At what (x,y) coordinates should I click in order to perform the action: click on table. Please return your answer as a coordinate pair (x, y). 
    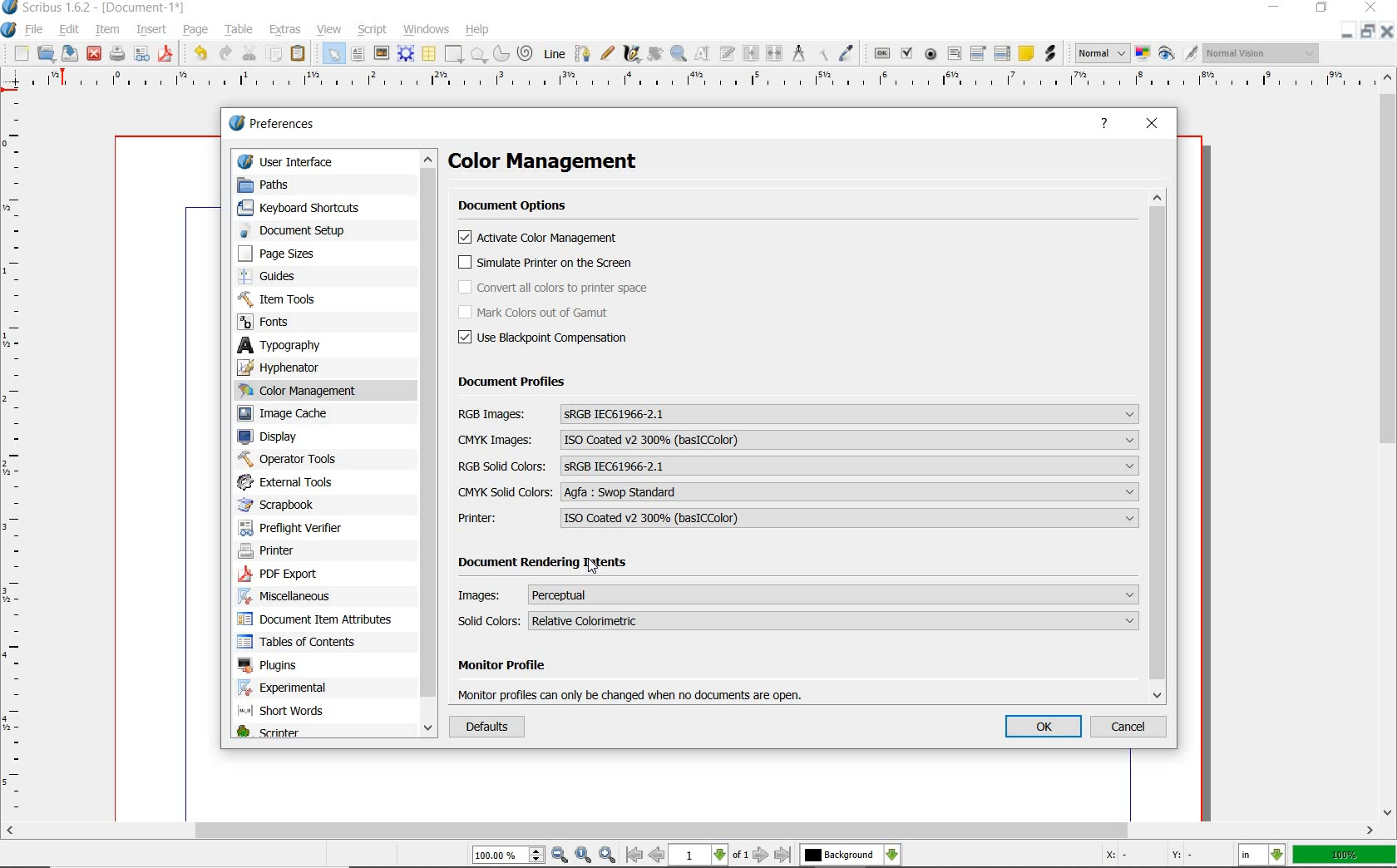
    Looking at the image, I should click on (239, 28).